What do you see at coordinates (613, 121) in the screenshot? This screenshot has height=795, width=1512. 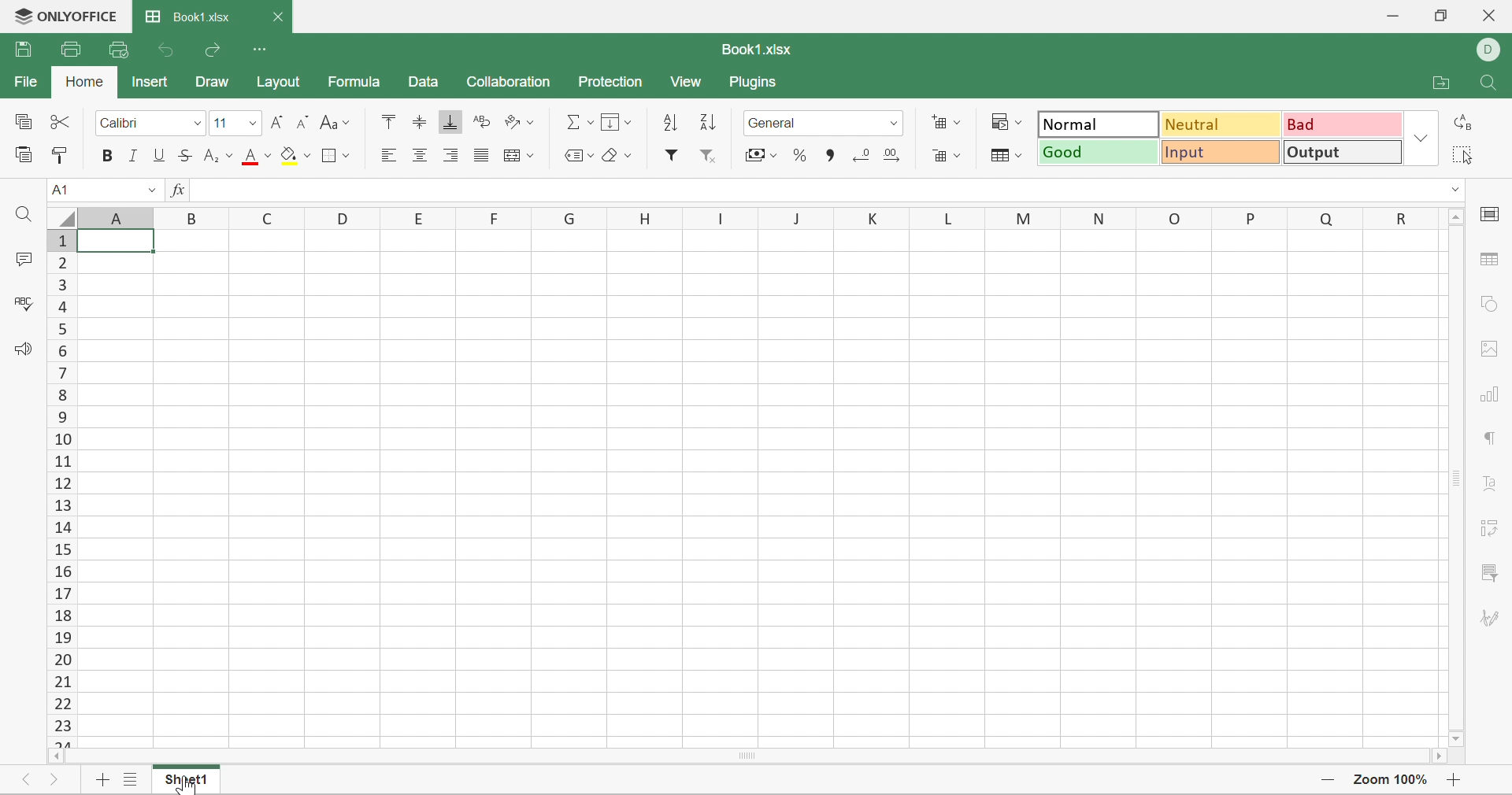 I see `` at bounding box center [613, 121].